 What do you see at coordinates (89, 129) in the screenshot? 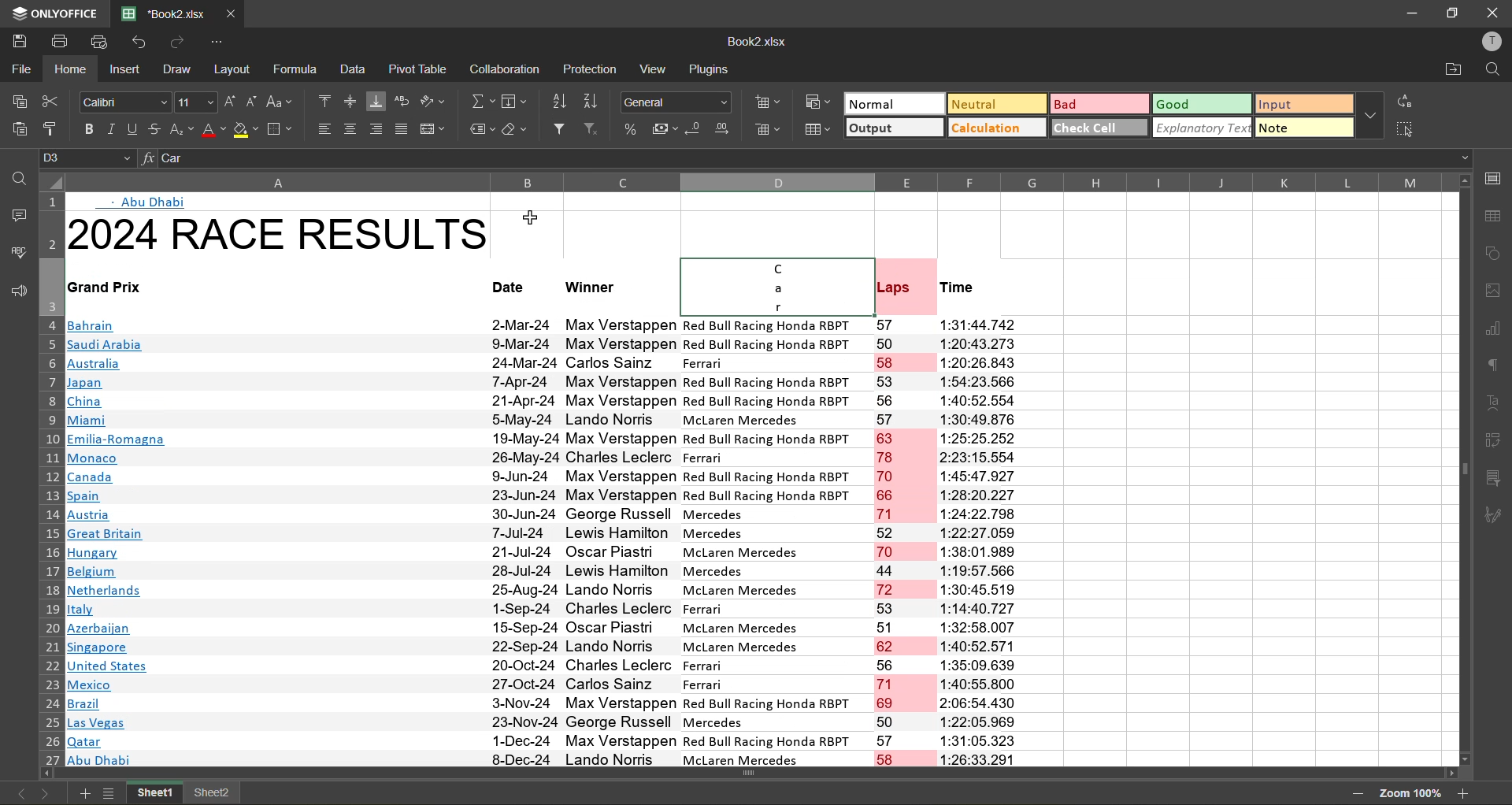
I see `bold` at bounding box center [89, 129].